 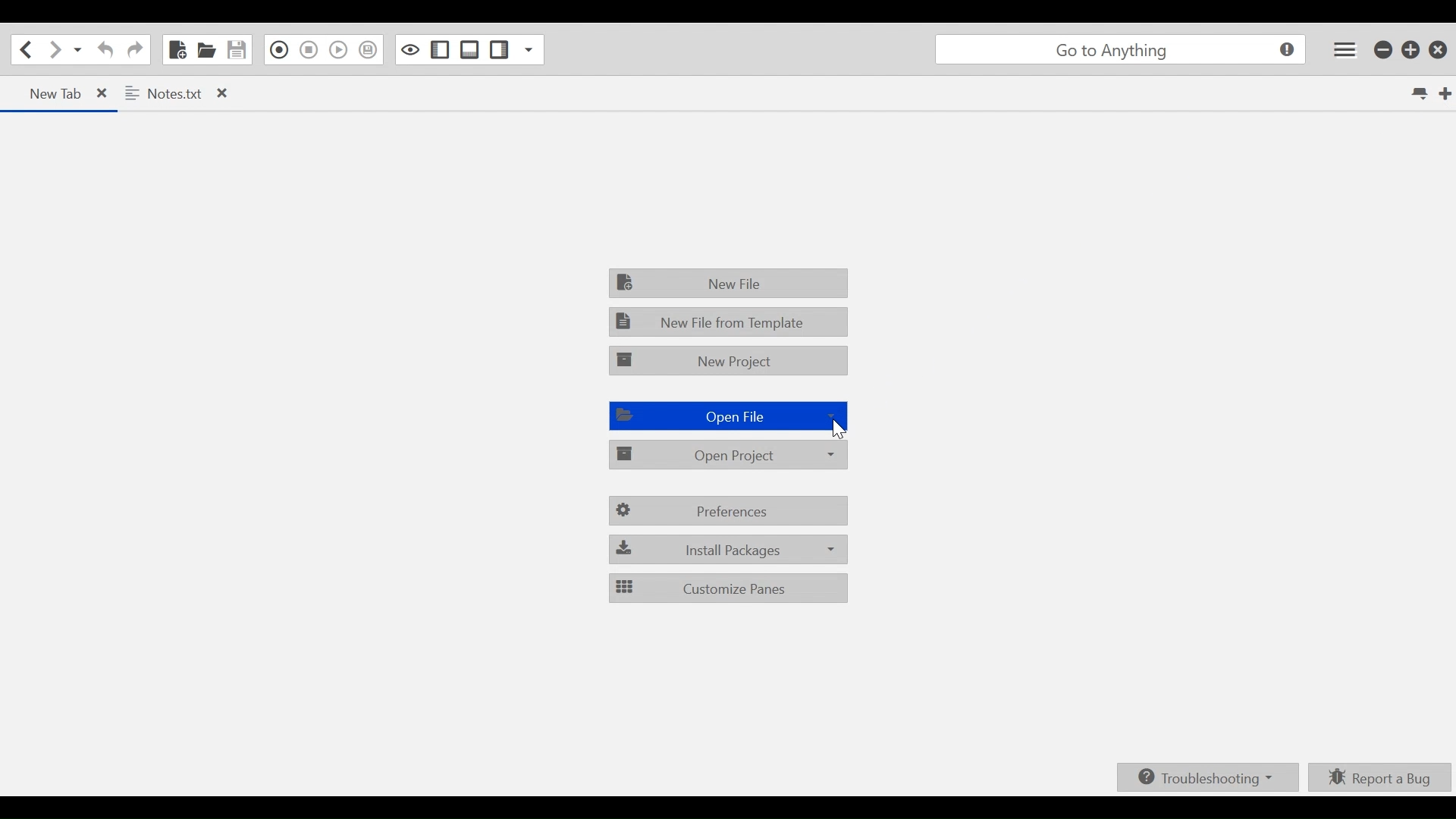 I want to click on Save, so click(x=237, y=49).